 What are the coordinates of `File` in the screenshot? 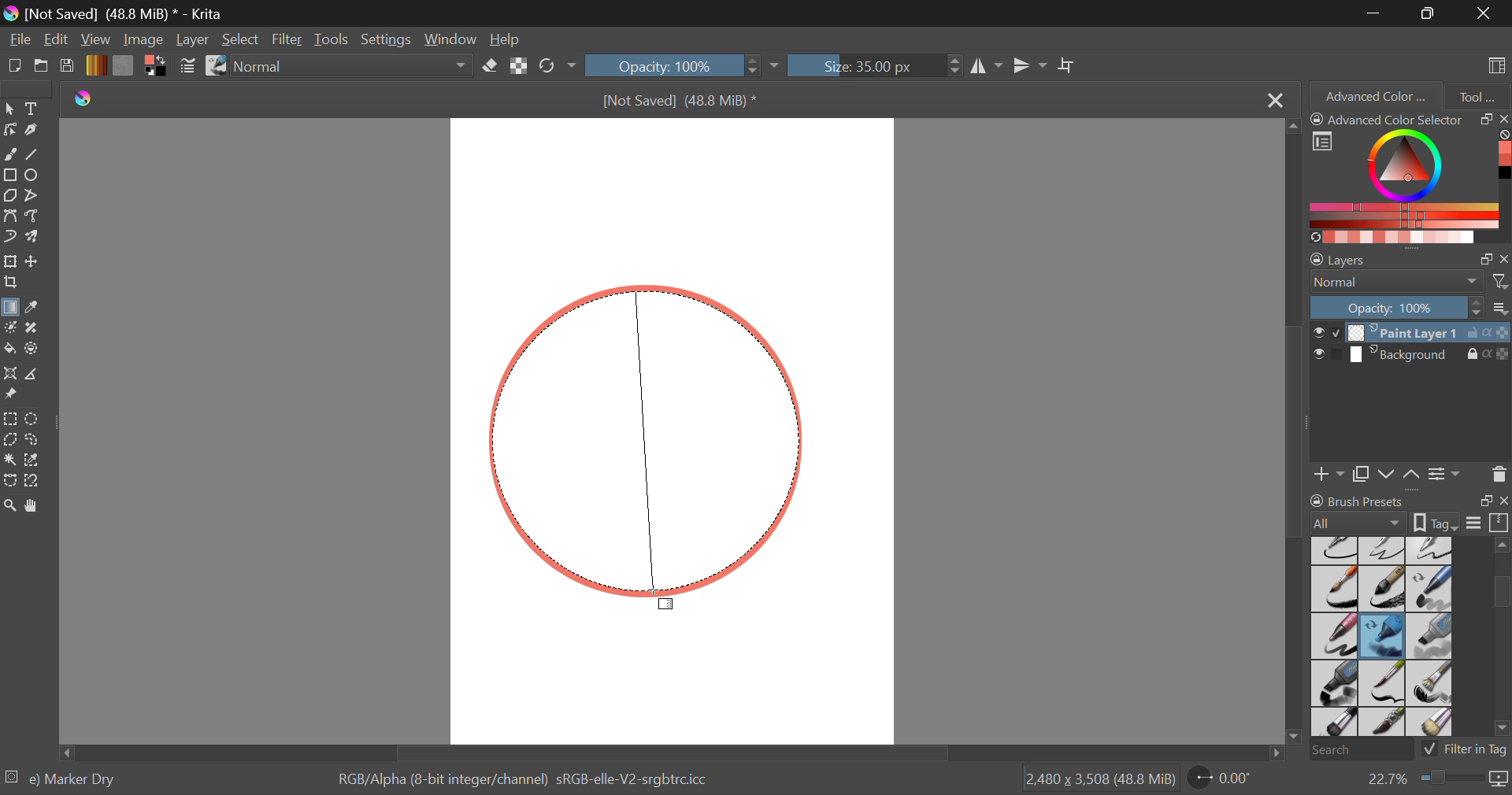 It's located at (20, 41).